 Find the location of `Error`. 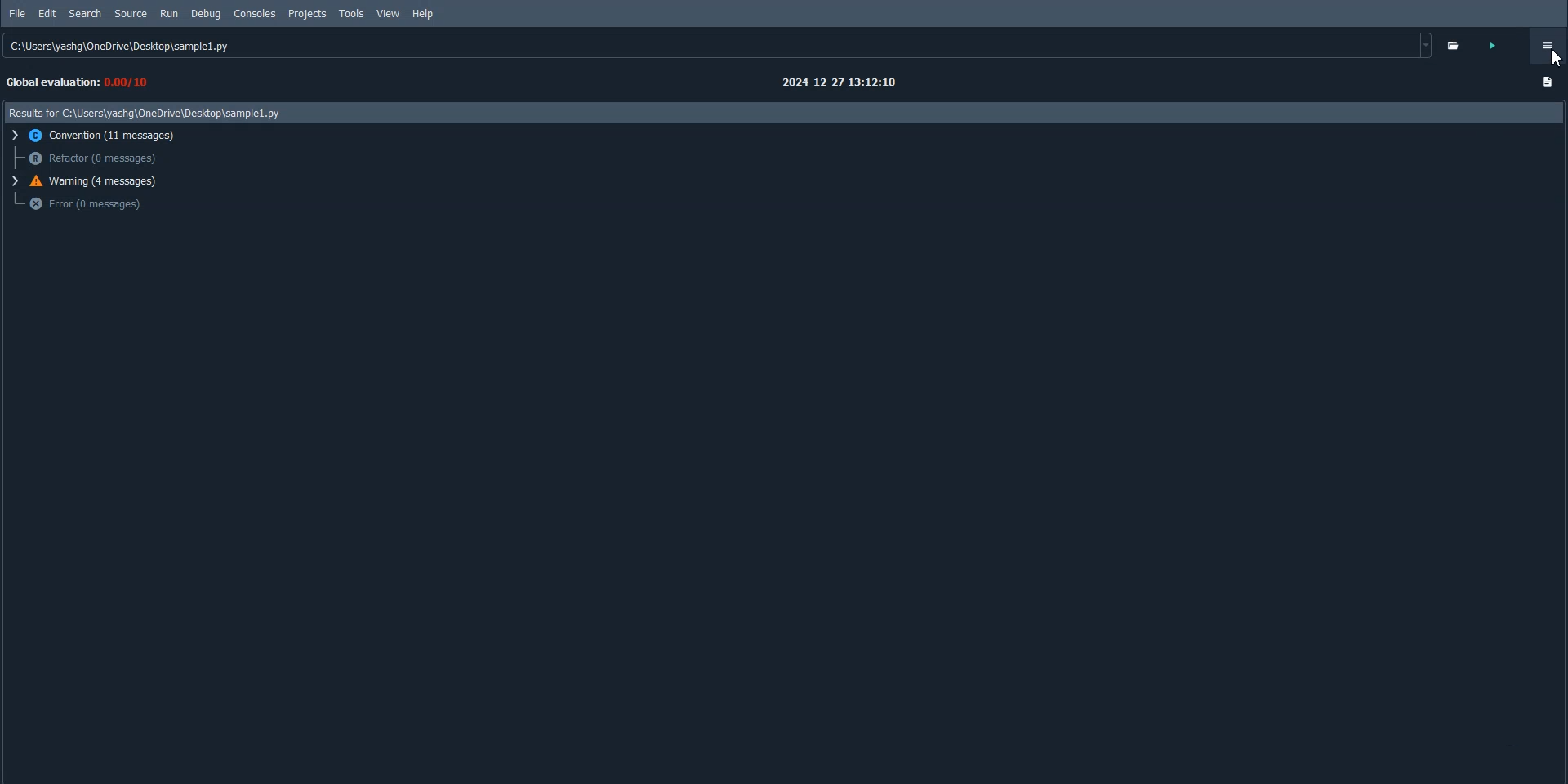

Error is located at coordinates (87, 204).